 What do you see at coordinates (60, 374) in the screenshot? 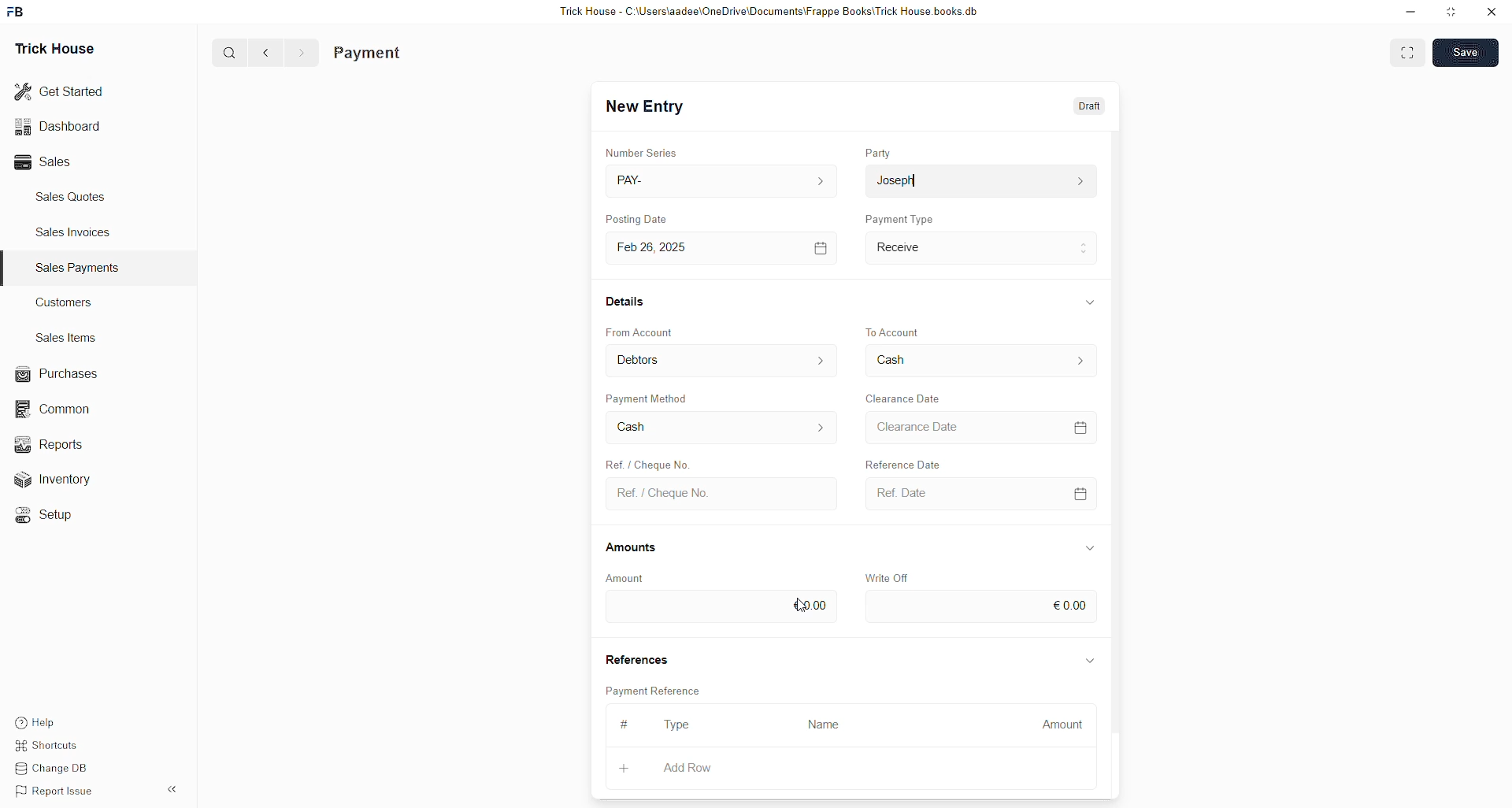
I see `Purchases` at bounding box center [60, 374].